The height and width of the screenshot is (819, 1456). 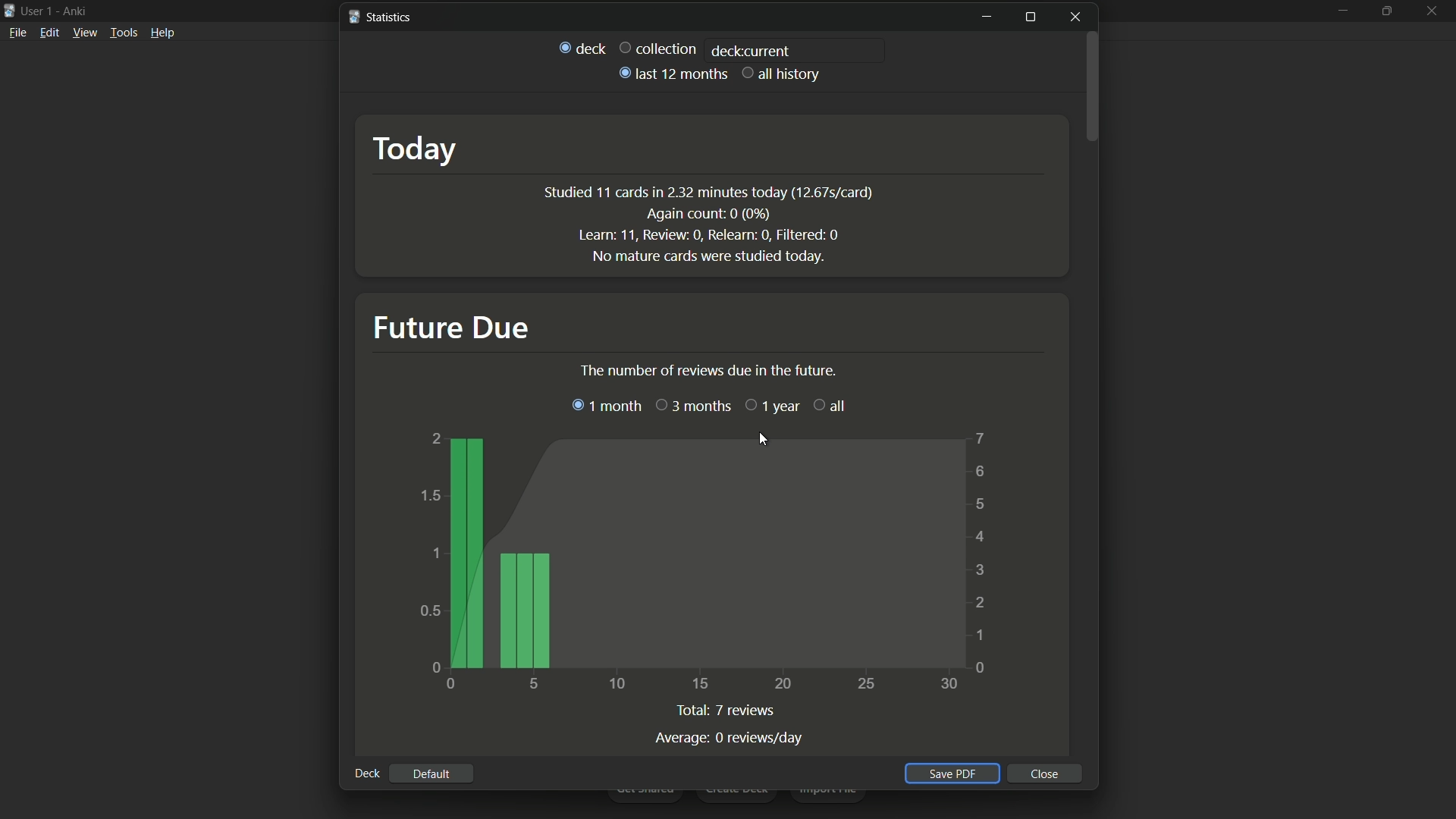 I want to click on last 12 months, so click(x=671, y=74).